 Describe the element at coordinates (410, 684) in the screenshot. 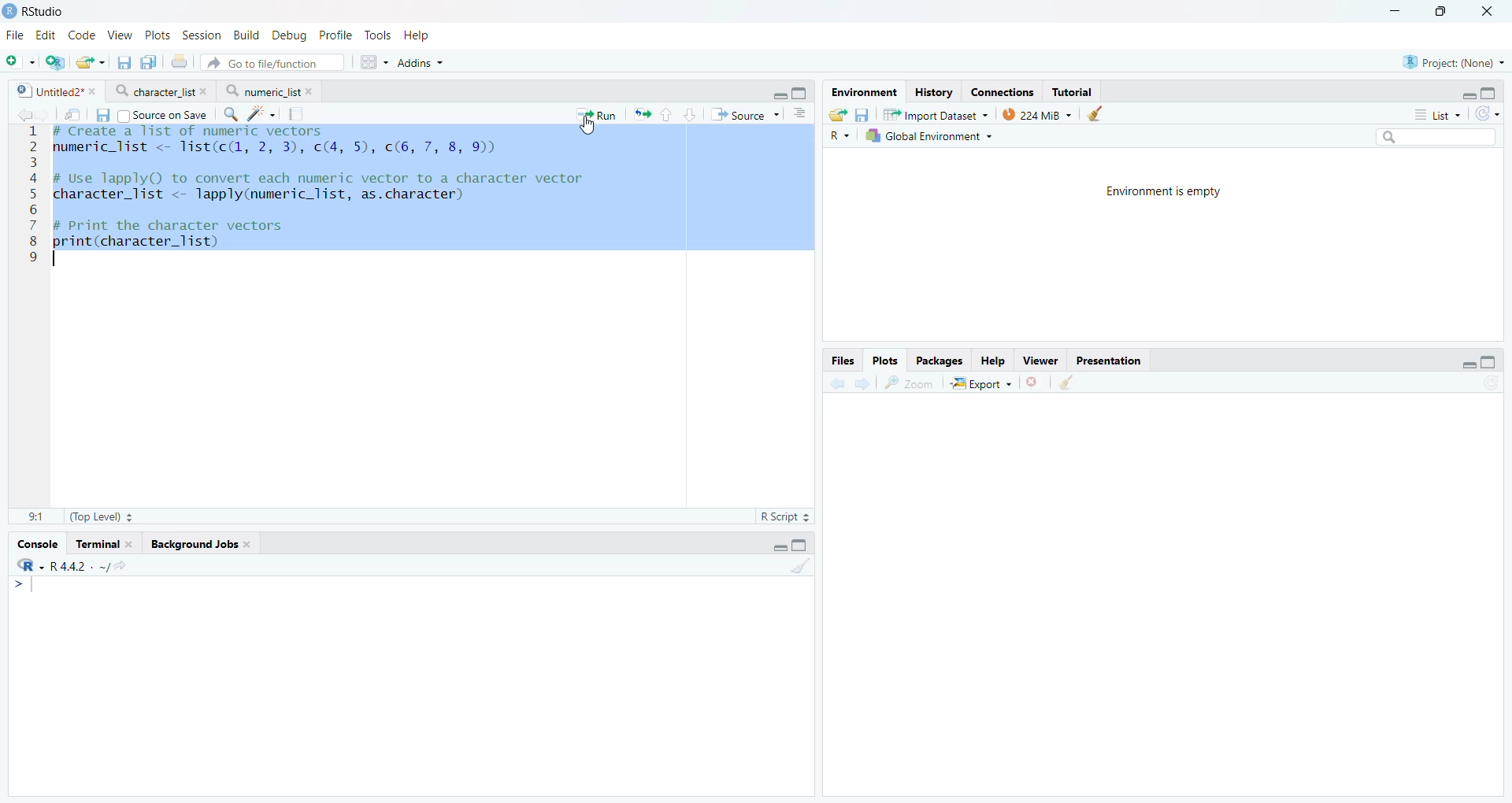

I see `Console` at that location.